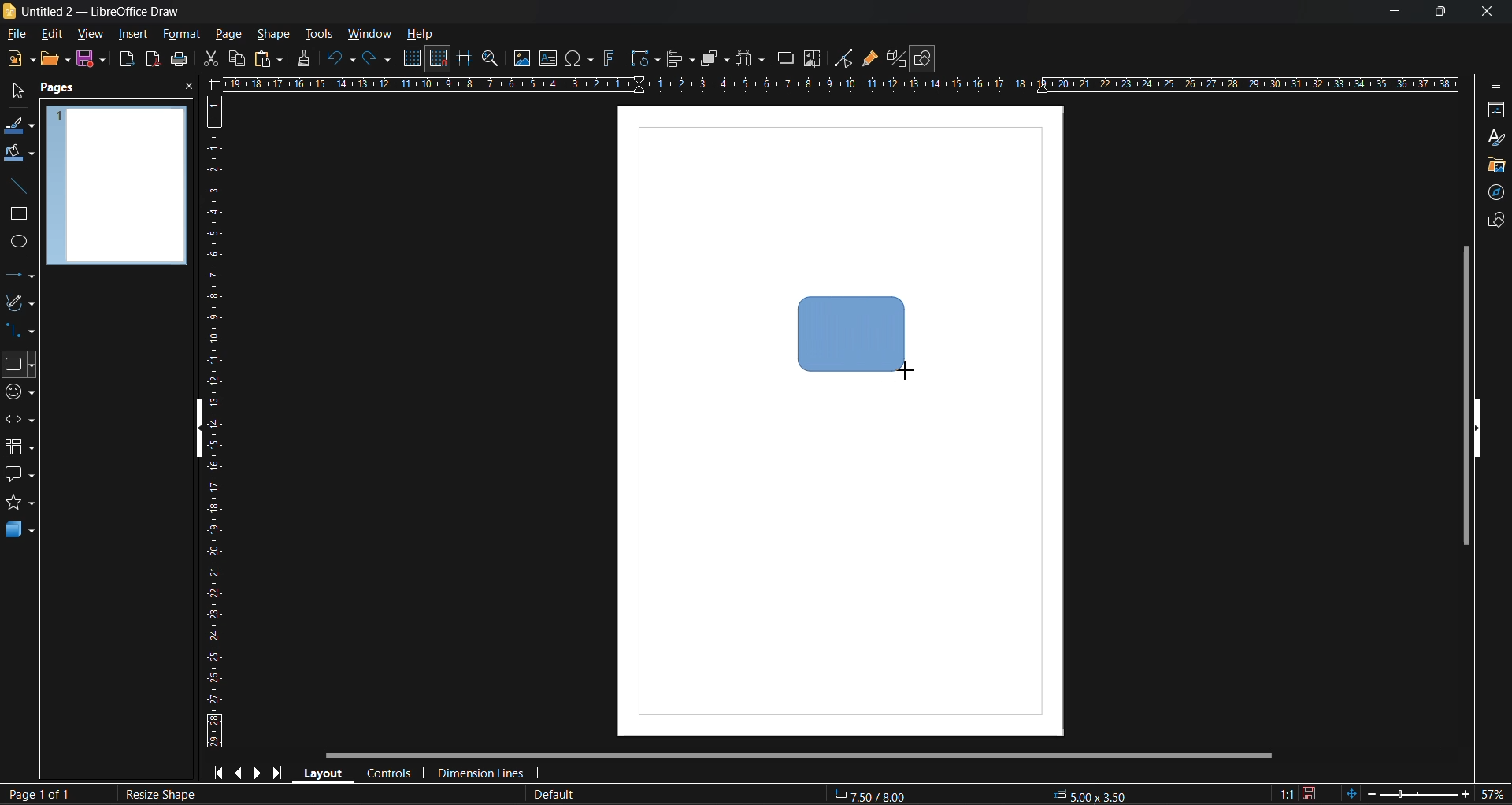  What do you see at coordinates (462, 59) in the screenshot?
I see `helplines` at bounding box center [462, 59].